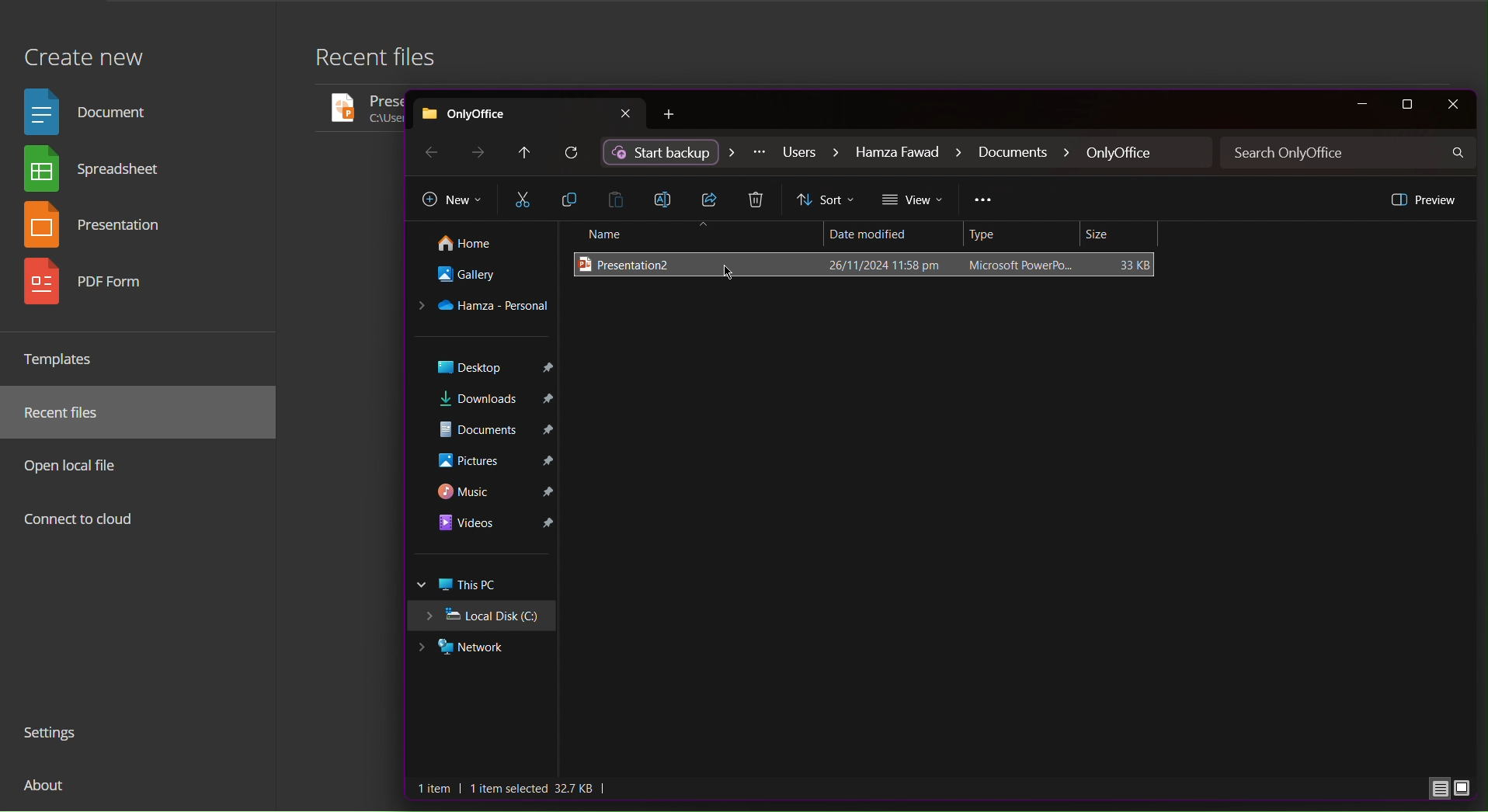 The image size is (1488, 812). Describe the element at coordinates (429, 151) in the screenshot. I see `Back` at that location.